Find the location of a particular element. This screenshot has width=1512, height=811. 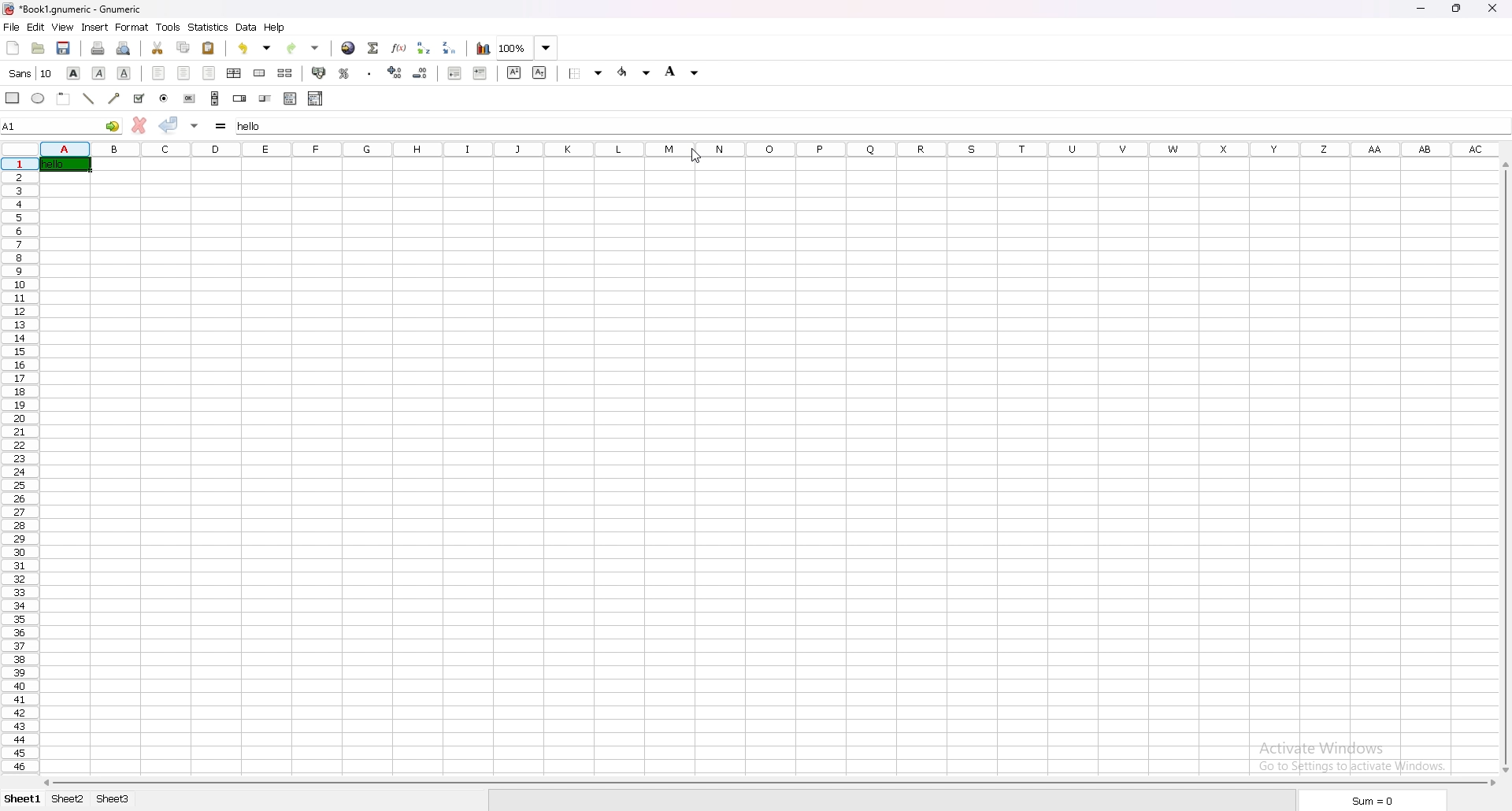

file name is located at coordinates (76, 9).